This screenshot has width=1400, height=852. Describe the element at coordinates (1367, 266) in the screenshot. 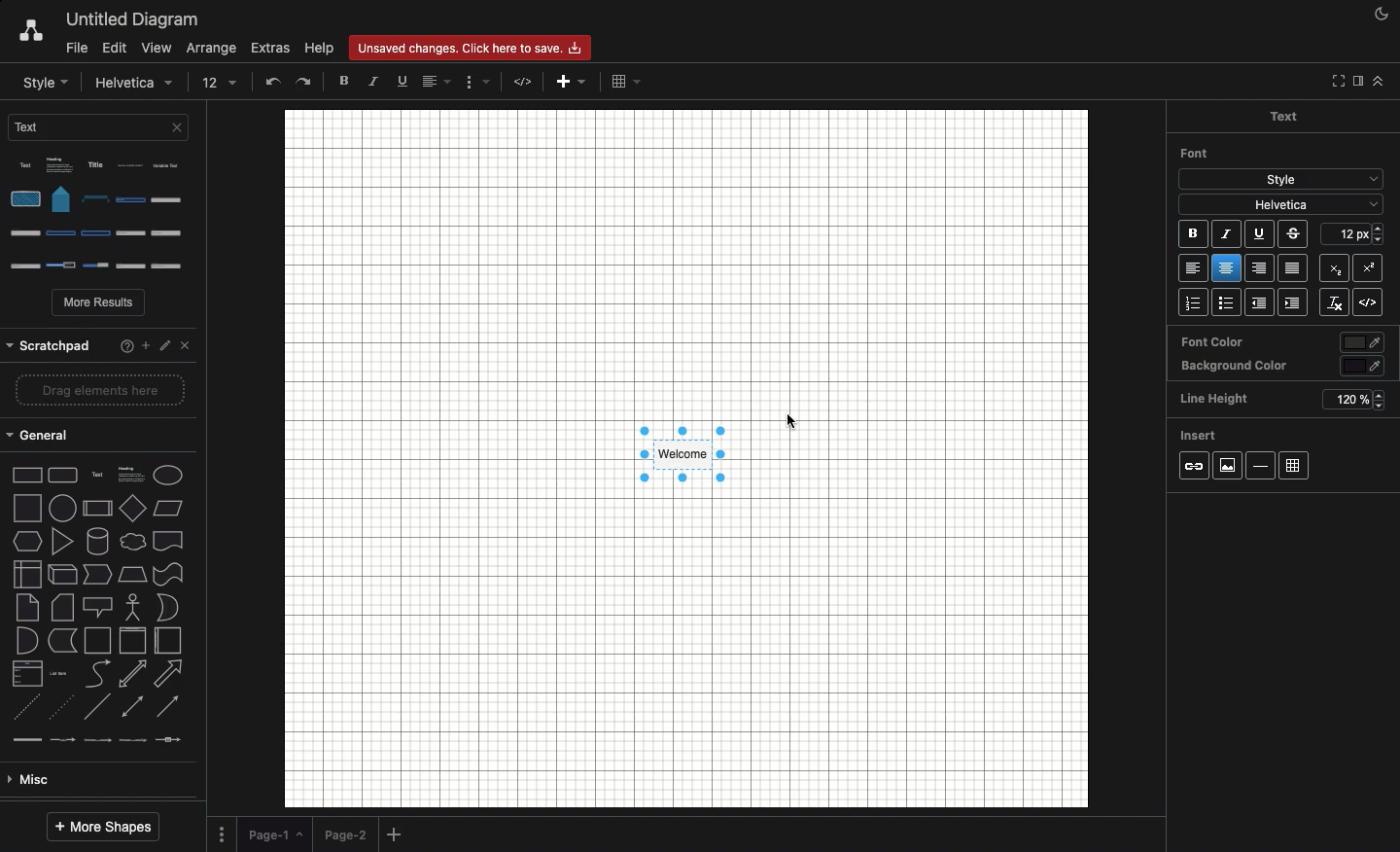

I see `Superscript` at that location.